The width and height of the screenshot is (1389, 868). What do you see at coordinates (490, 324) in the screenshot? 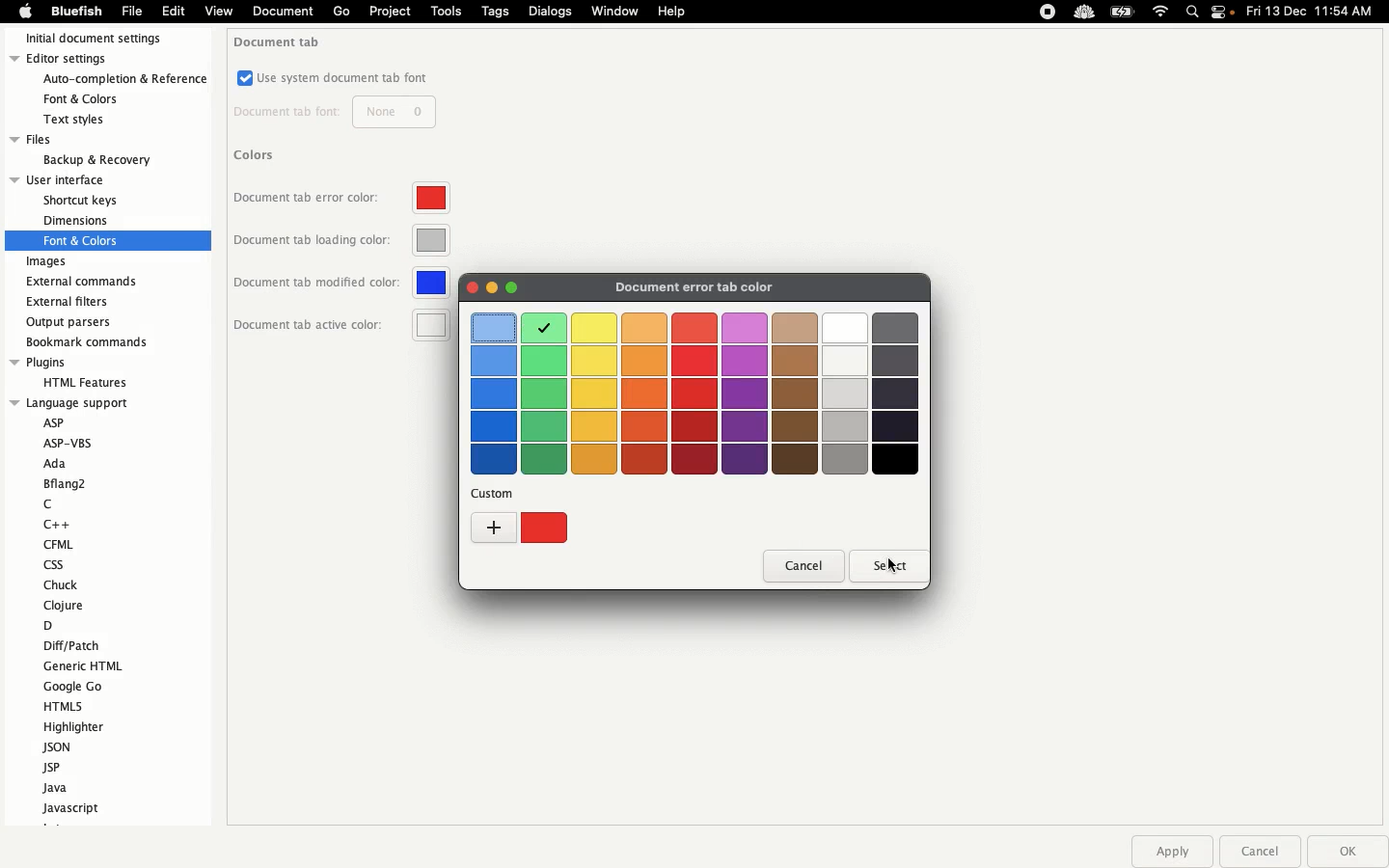
I see `color` at bounding box center [490, 324].